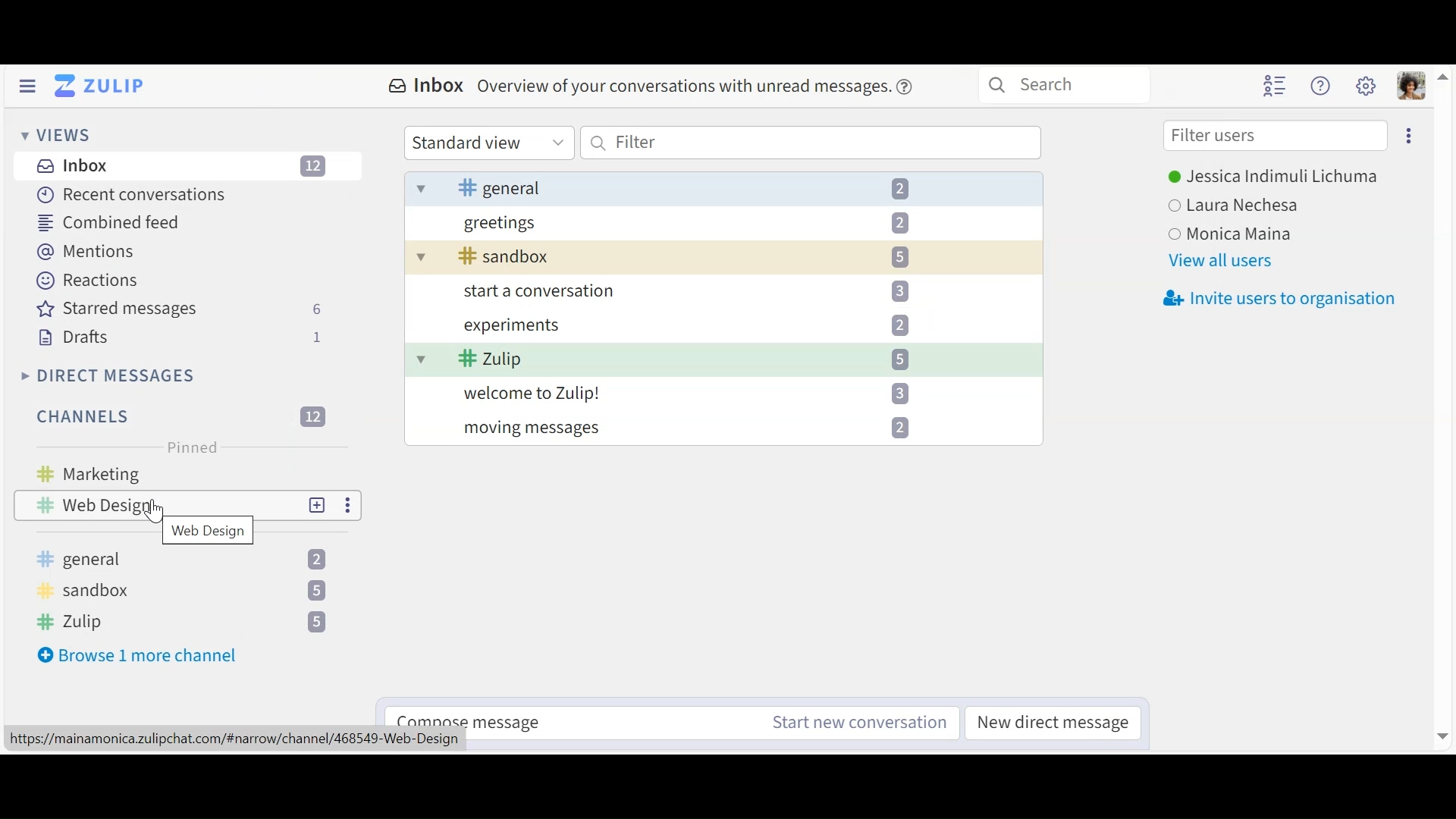 This screenshot has width=1456, height=819. Describe the element at coordinates (1057, 722) in the screenshot. I see `New direct messages` at that location.